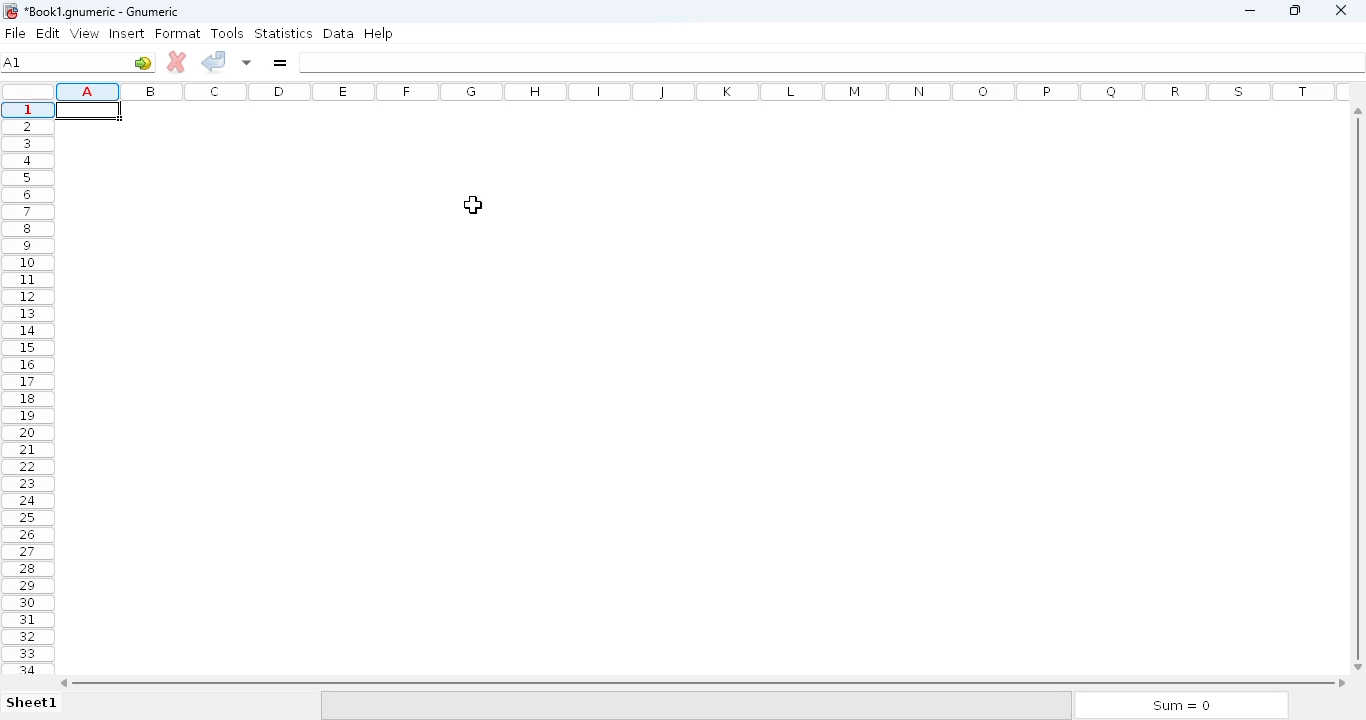 This screenshot has height=720, width=1366. Describe the element at coordinates (143, 62) in the screenshot. I see `go to` at that location.